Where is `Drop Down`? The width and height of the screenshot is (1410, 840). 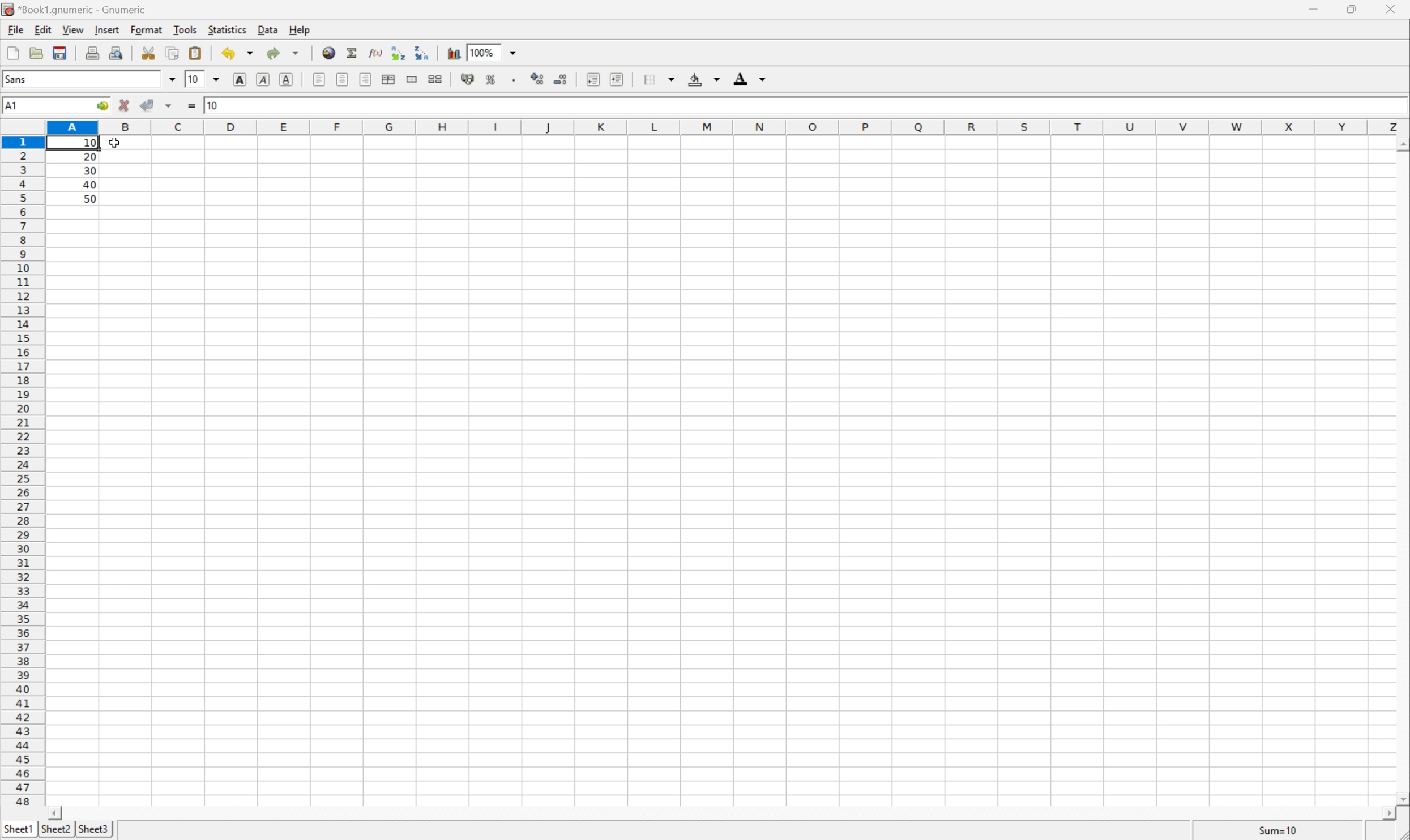 Drop Down is located at coordinates (514, 51).